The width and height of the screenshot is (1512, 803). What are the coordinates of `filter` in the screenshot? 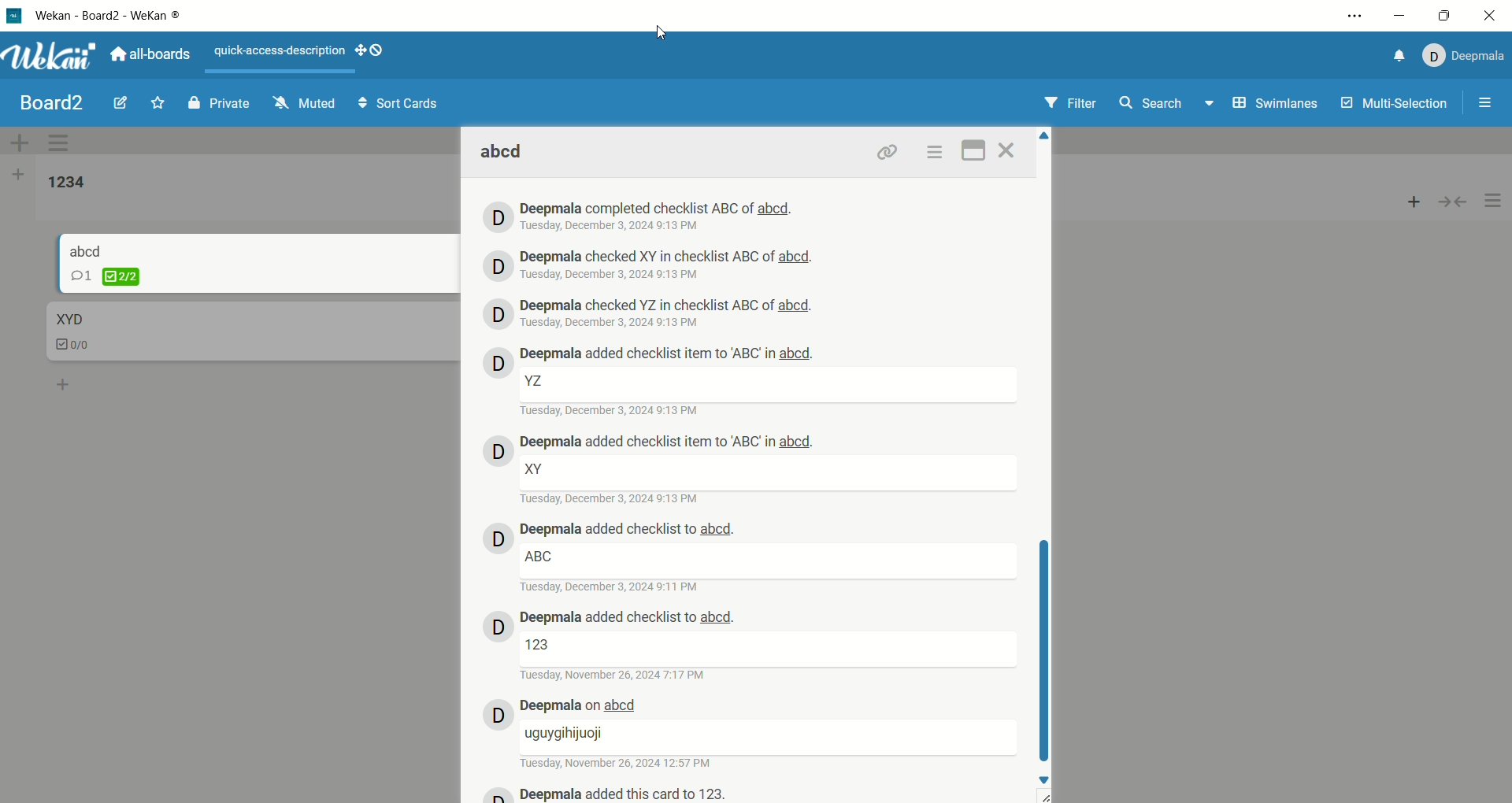 It's located at (1073, 104).